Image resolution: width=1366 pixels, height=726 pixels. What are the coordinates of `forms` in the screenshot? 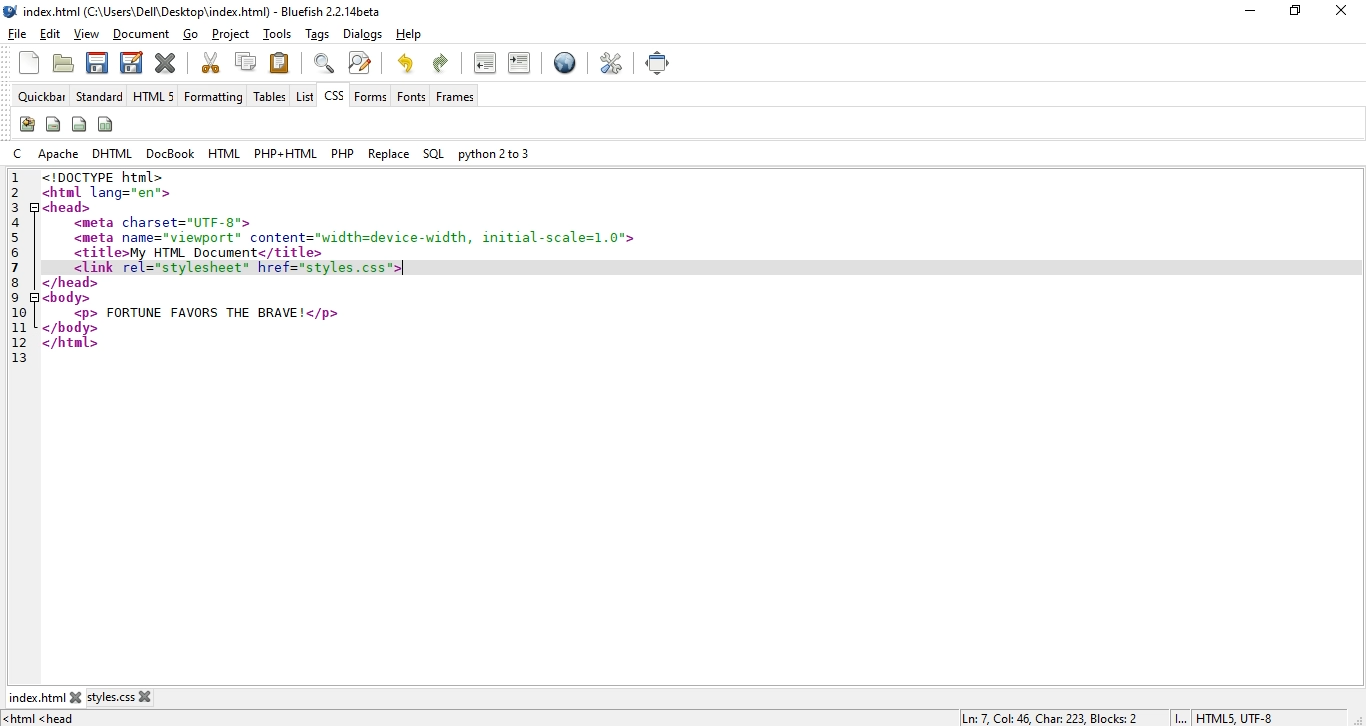 It's located at (372, 96).